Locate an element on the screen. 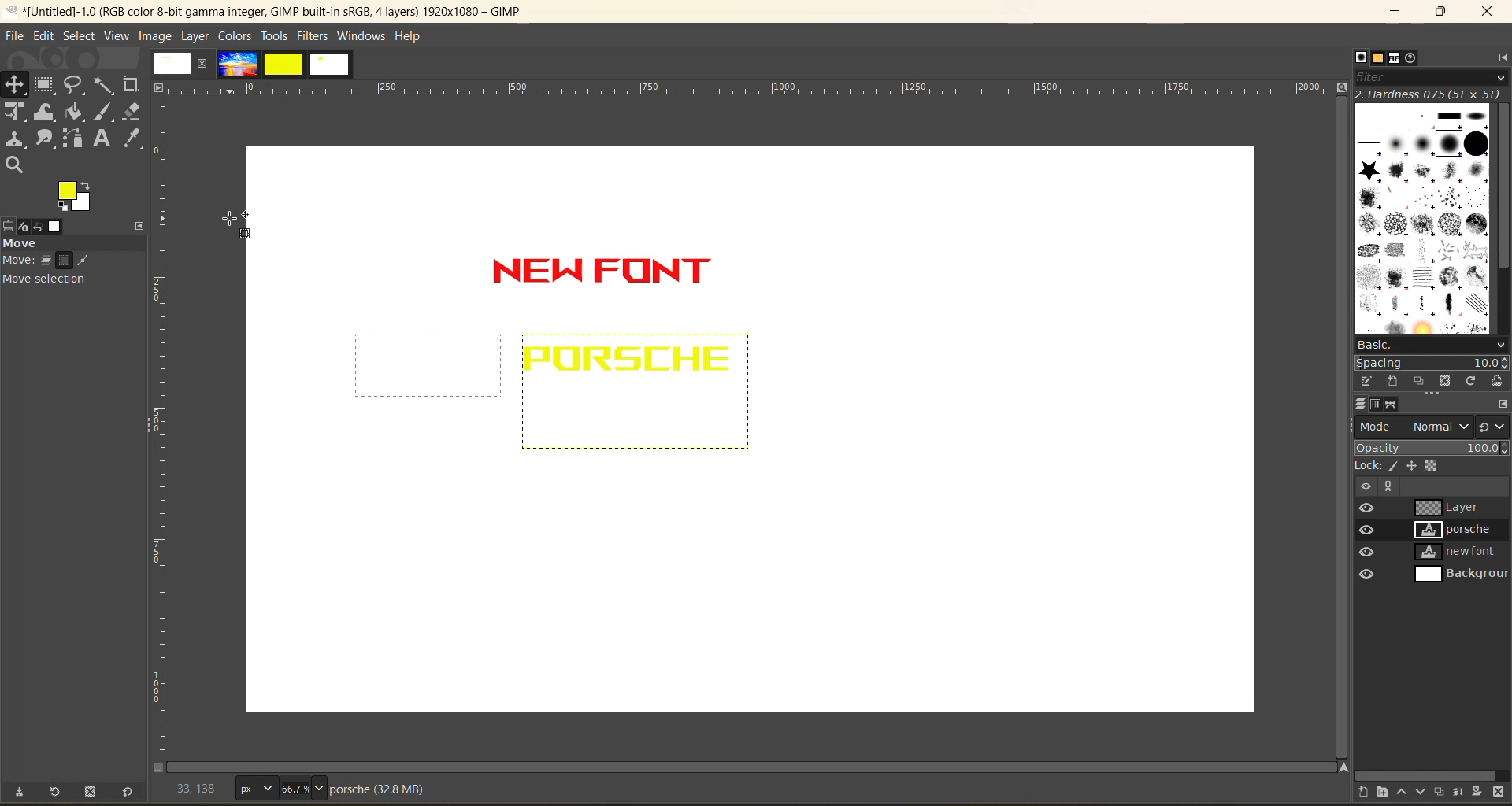 This screenshot has height=806, width=1512. horizontal scroll bar is located at coordinates (1427, 772).